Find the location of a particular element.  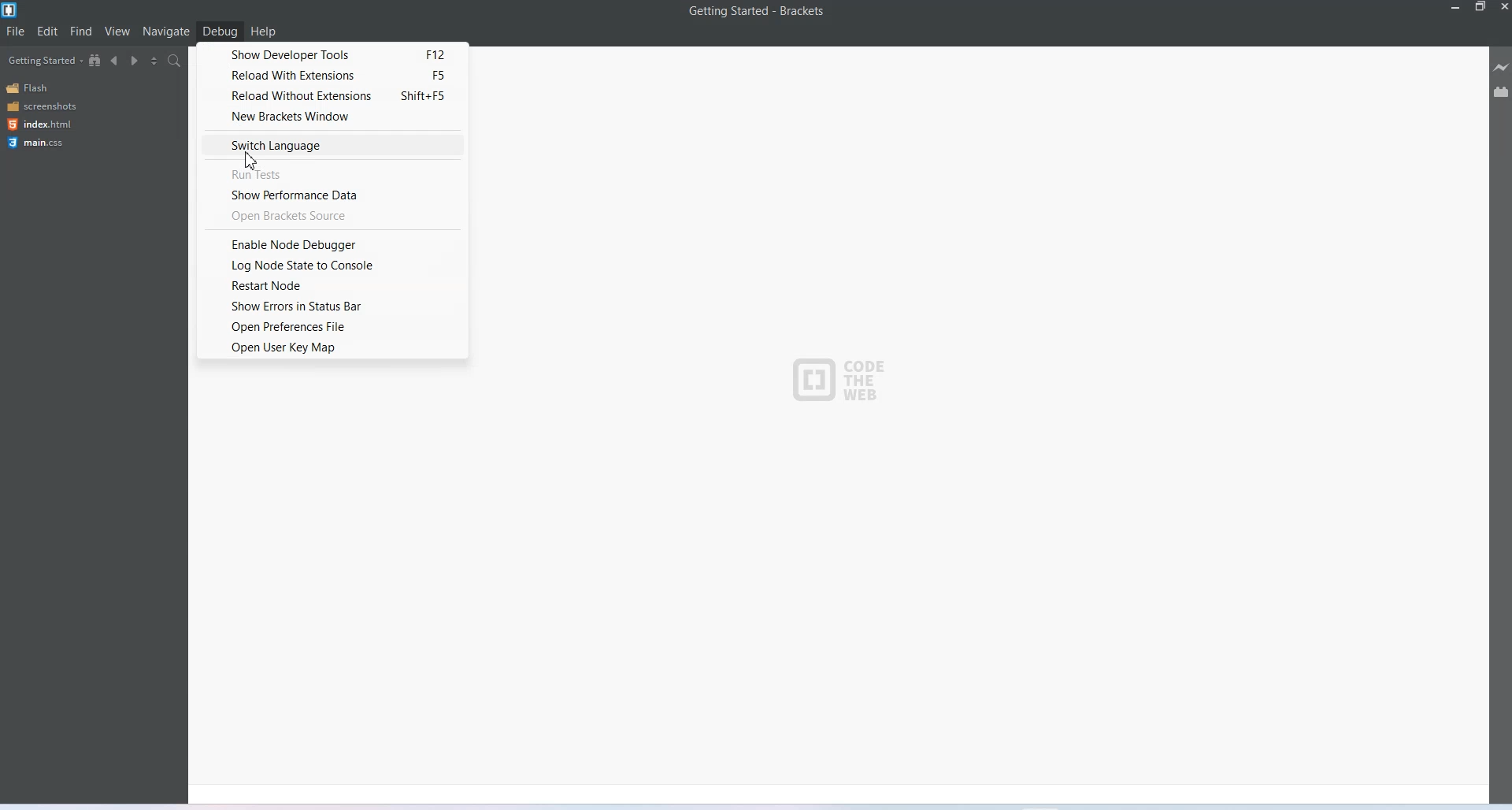

Show in the file tree is located at coordinates (95, 60).